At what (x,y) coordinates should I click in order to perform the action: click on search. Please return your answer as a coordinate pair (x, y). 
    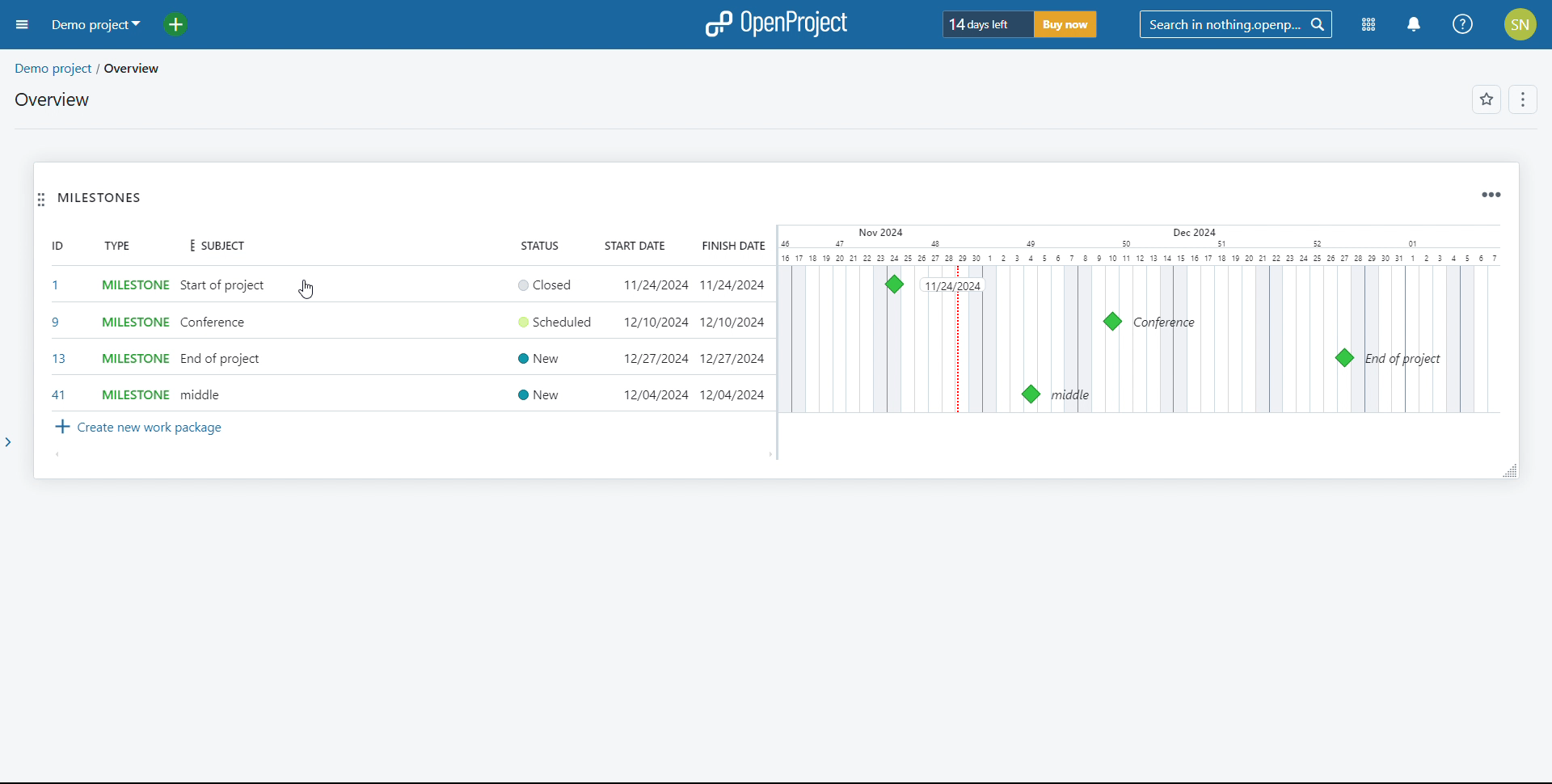
    Looking at the image, I should click on (1236, 24).